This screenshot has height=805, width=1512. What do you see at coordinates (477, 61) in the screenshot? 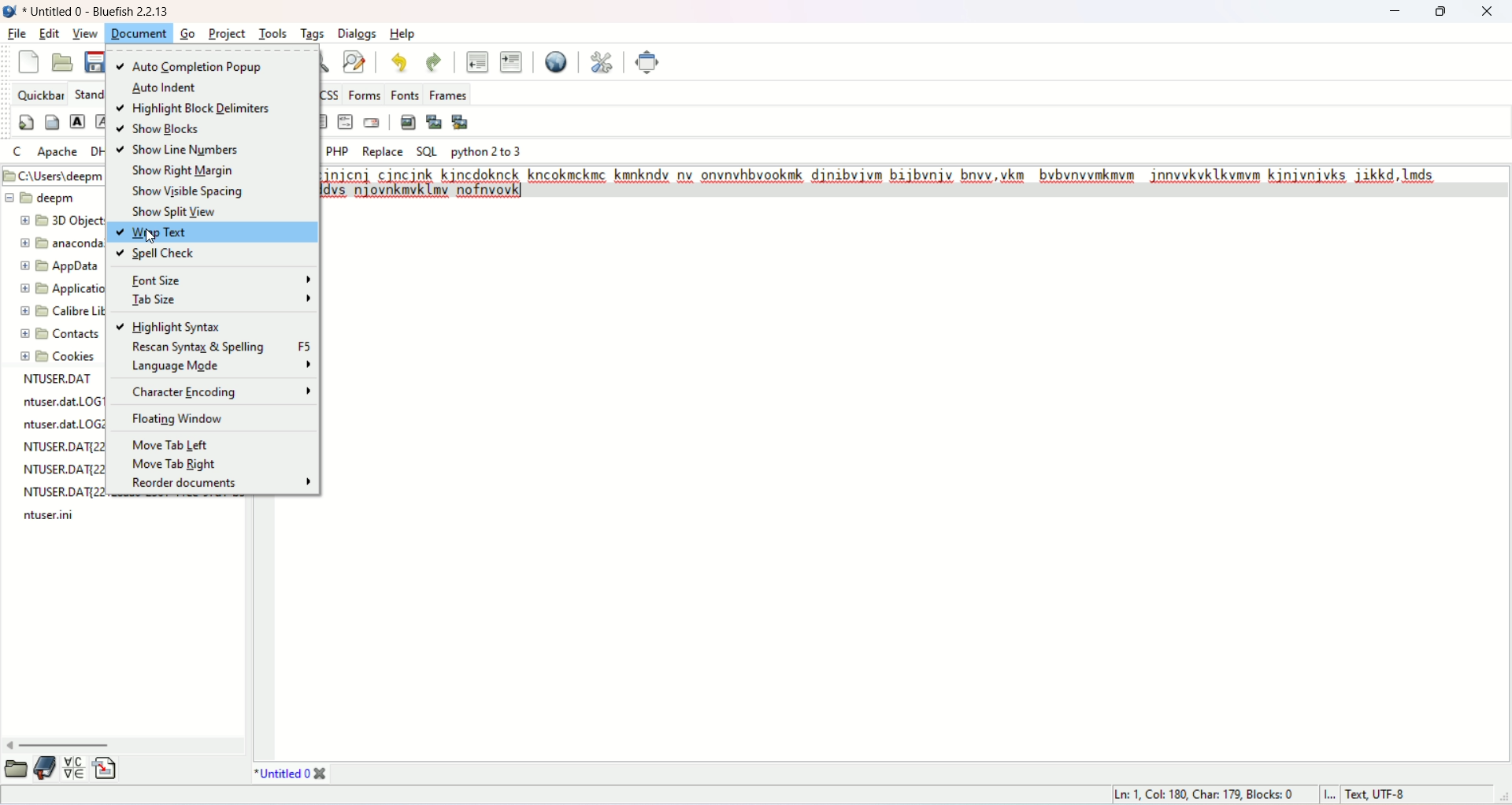
I see `unindent` at bounding box center [477, 61].